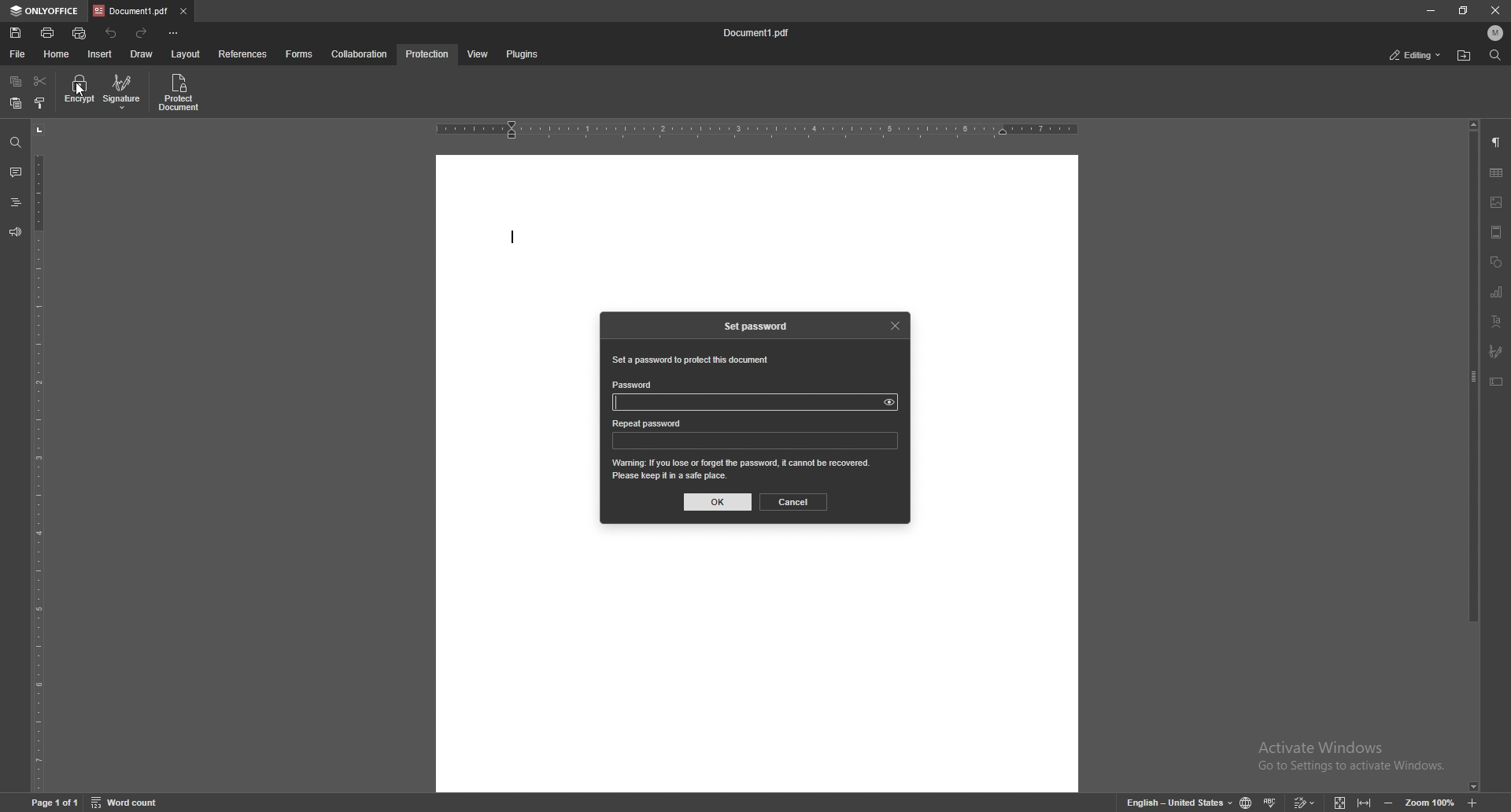  What do you see at coordinates (1496, 262) in the screenshot?
I see `shapes` at bounding box center [1496, 262].